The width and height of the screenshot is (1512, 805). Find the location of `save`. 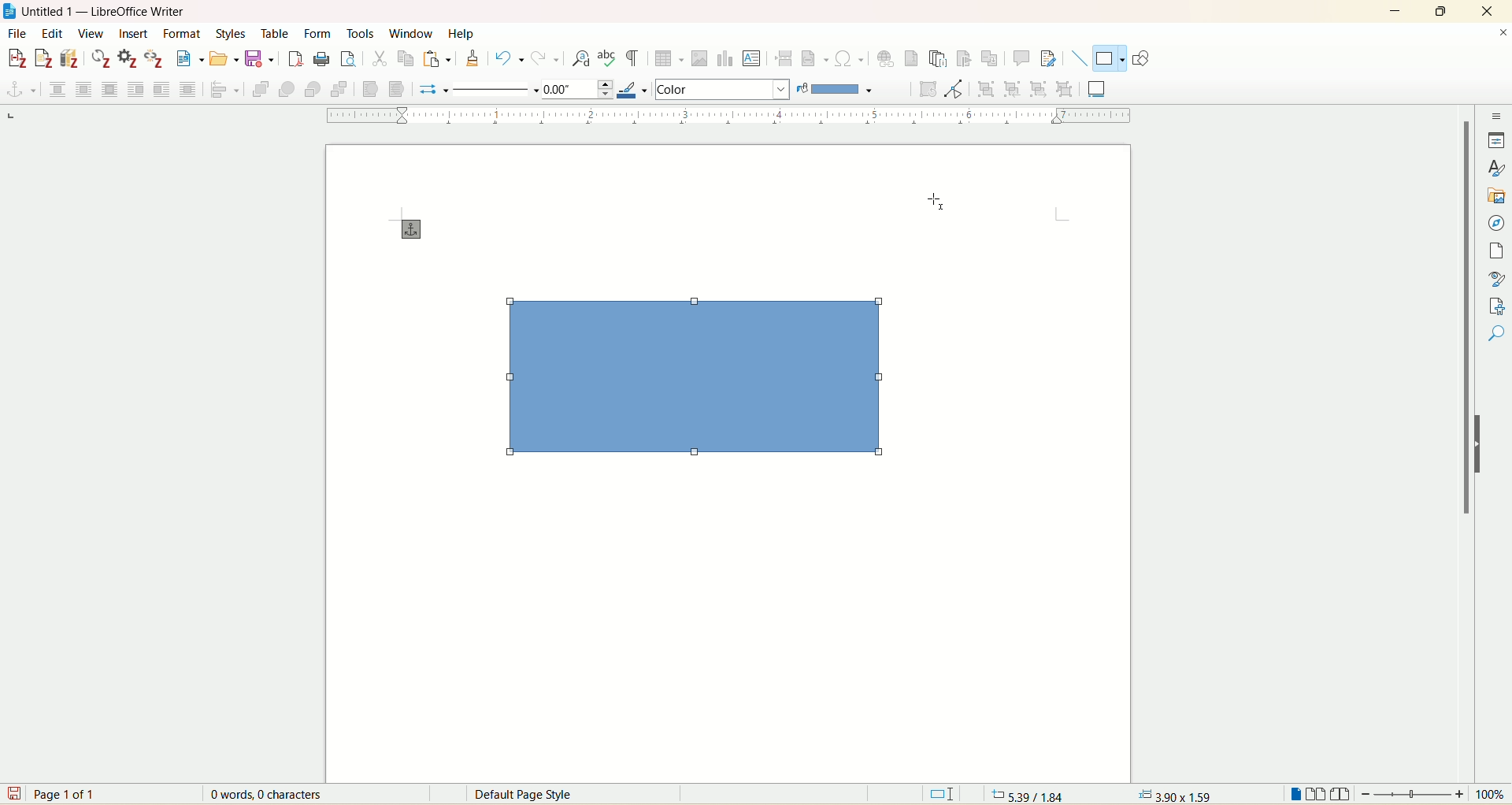

save is located at coordinates (261, 60).